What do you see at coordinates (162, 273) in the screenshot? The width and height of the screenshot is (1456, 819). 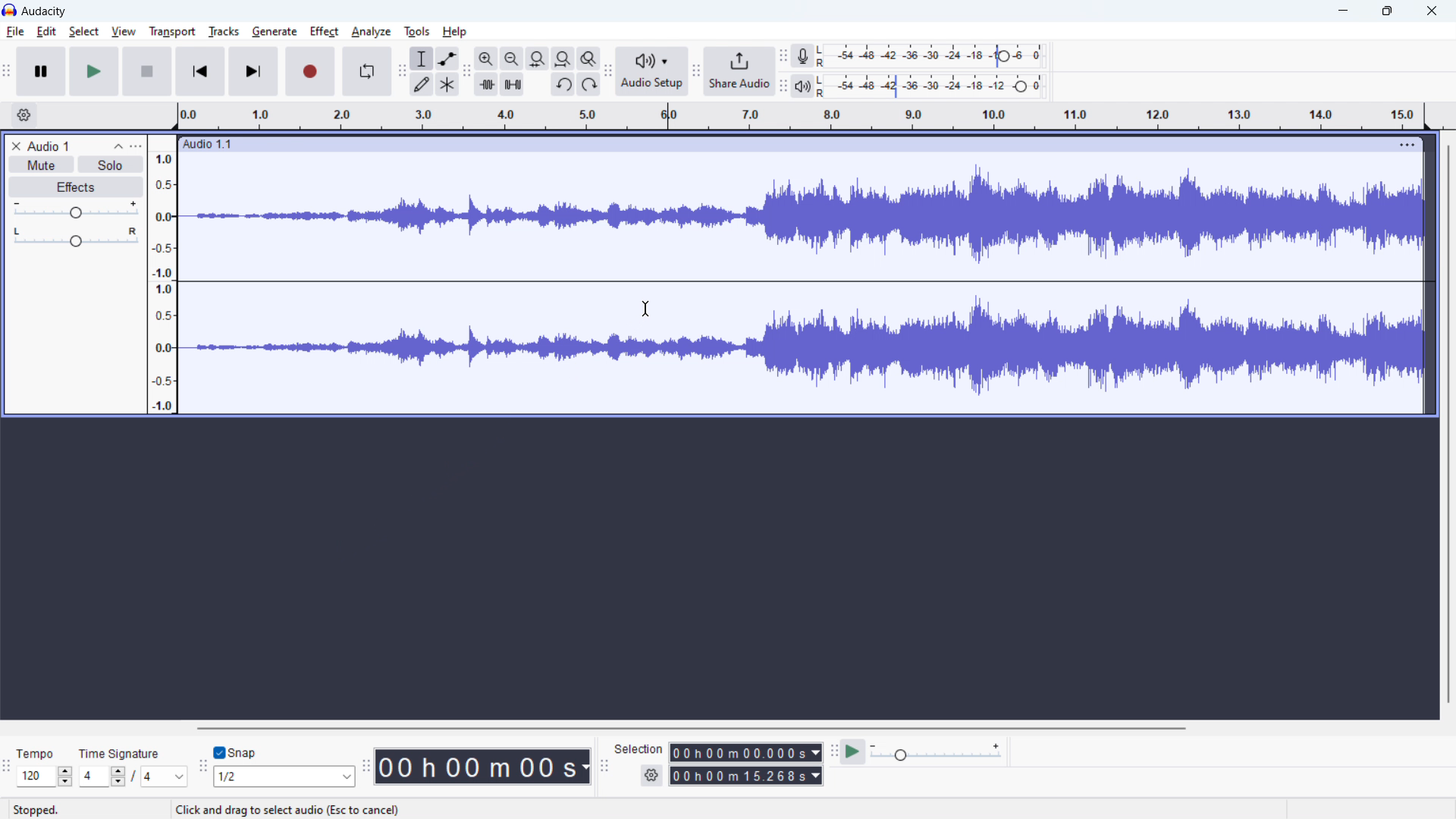 I see `amplitude` at bounding box center [162, 273].